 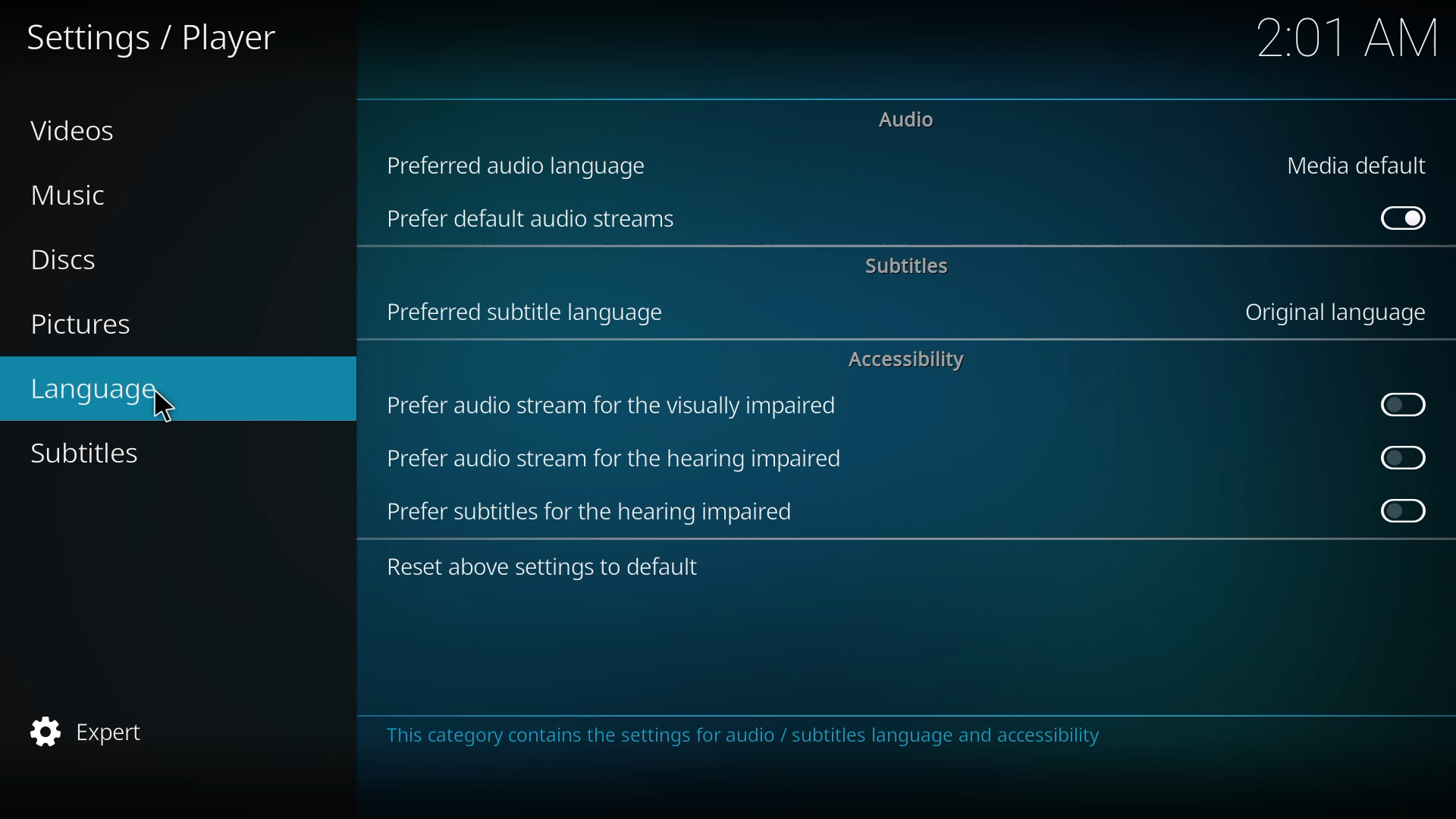 What do you see at coordinates (71, 129) in the screenshot?
I see `videos` at bounding box center [71, 129].